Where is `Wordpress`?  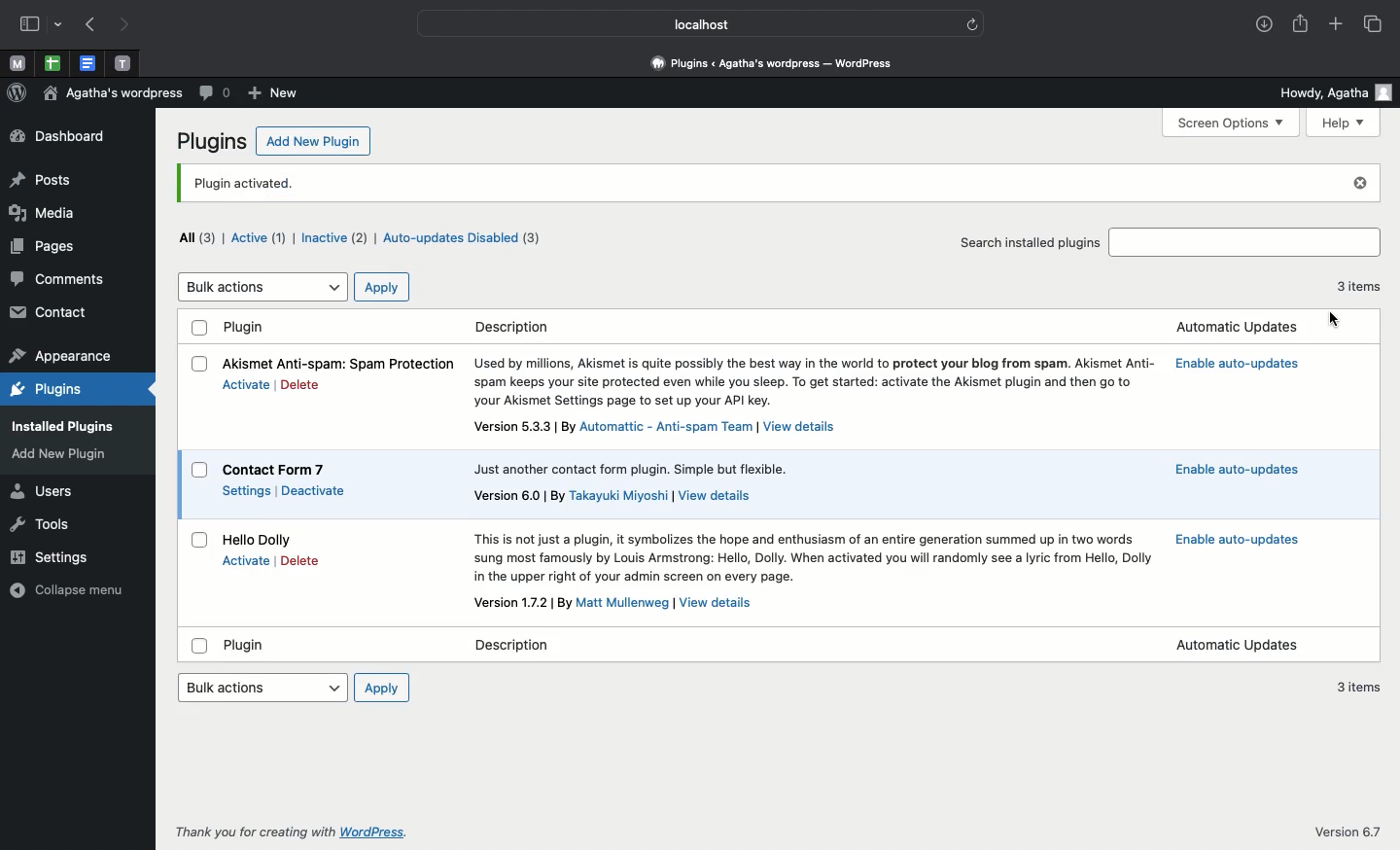 Wordpress is located at coordinates (17, 94).